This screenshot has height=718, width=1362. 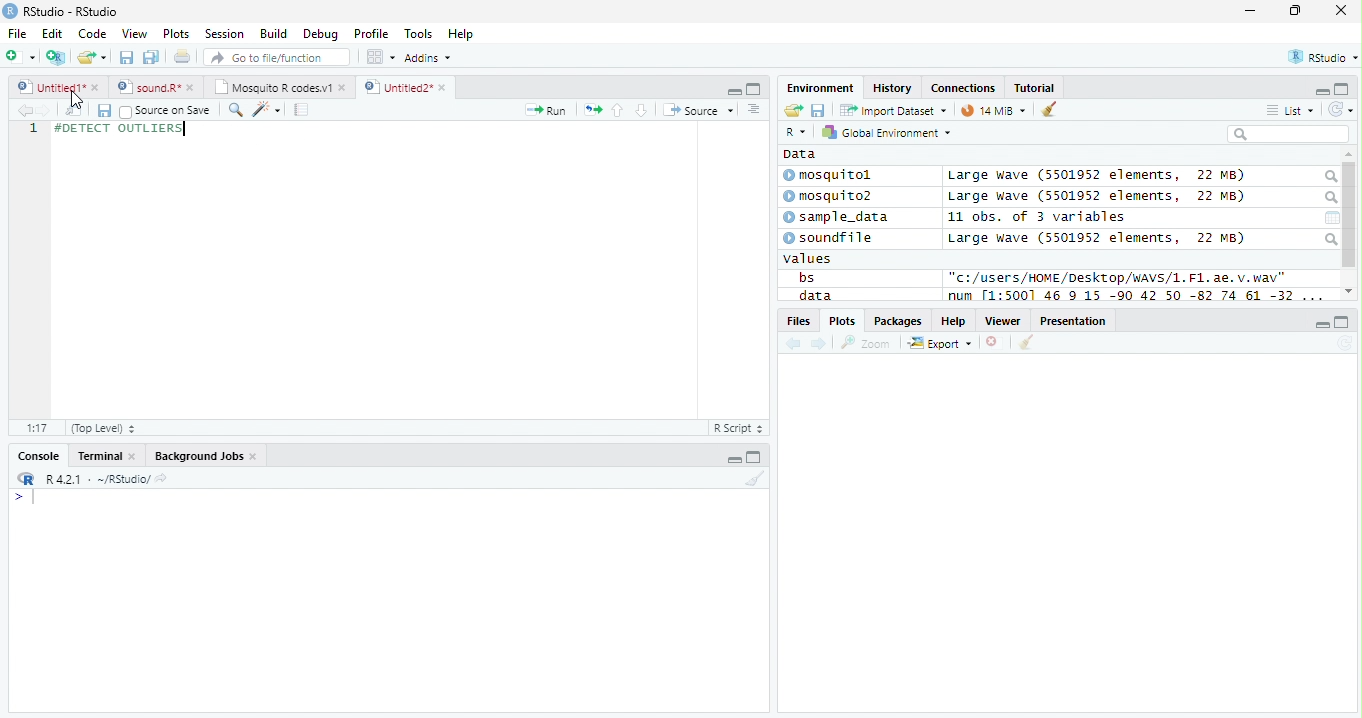 What do you see at coordinates (183, 58) in the screenshot?
I see `Print` at bounding box center [183, 58].